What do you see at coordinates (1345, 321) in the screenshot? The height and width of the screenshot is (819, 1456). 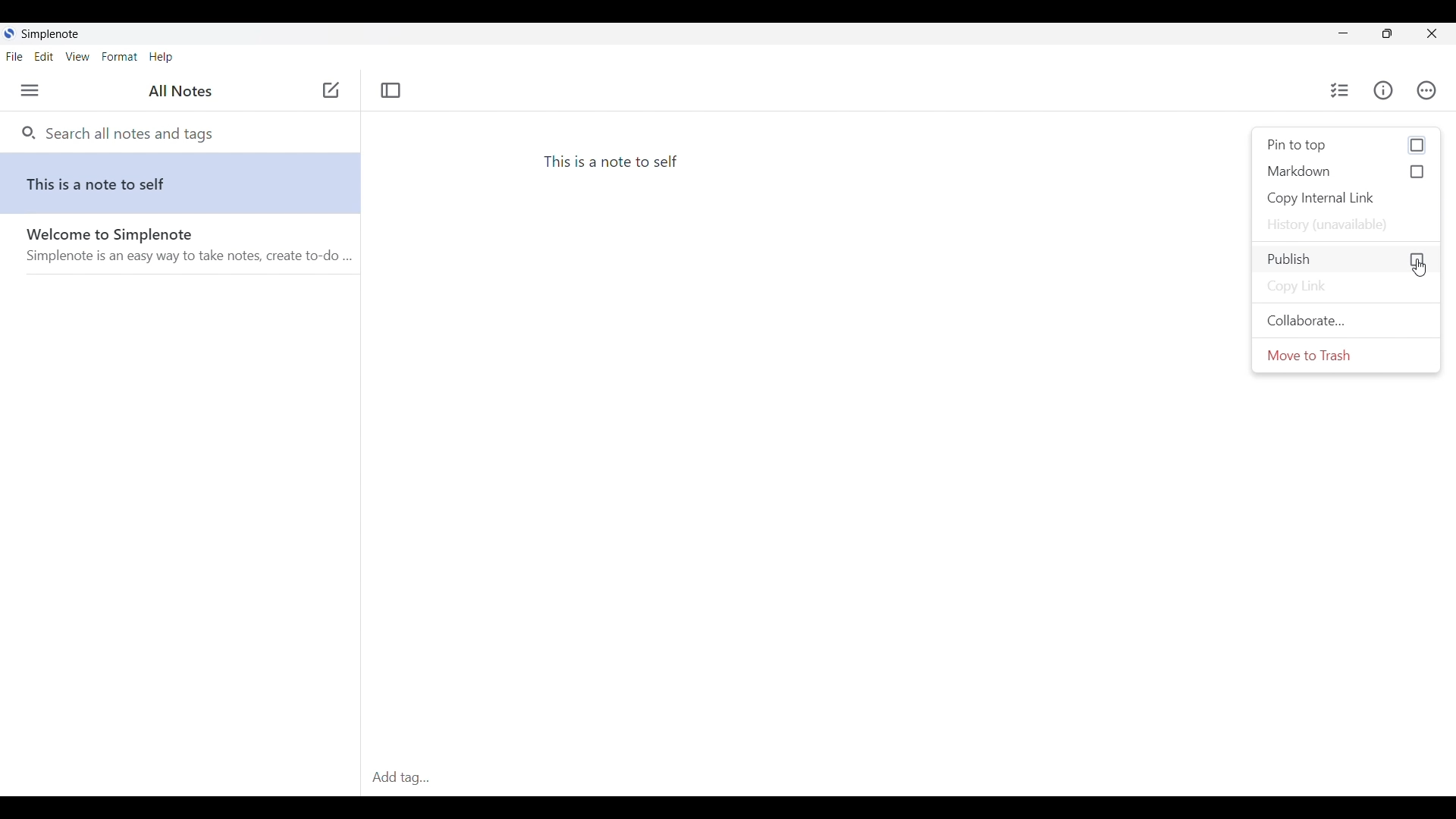 I see `Collaborate` at bounding box center [1345, 321].